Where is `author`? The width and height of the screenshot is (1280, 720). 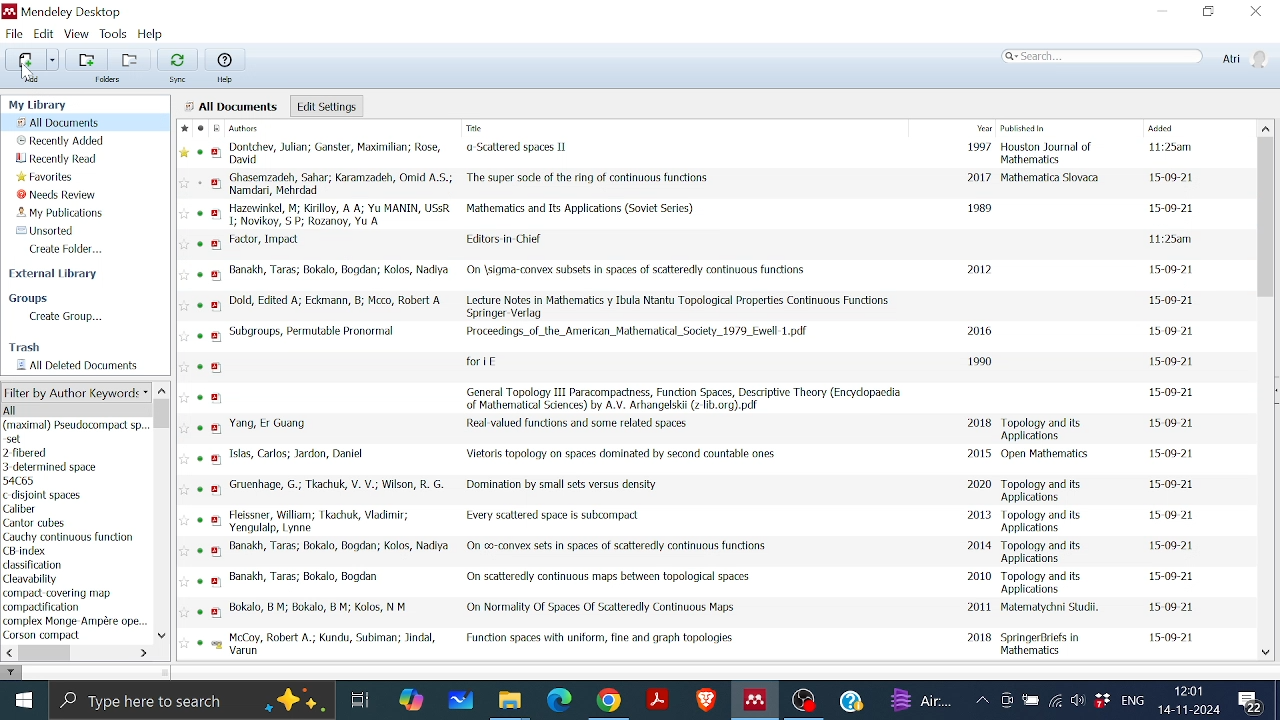
author is located at coordinates (41, 496).